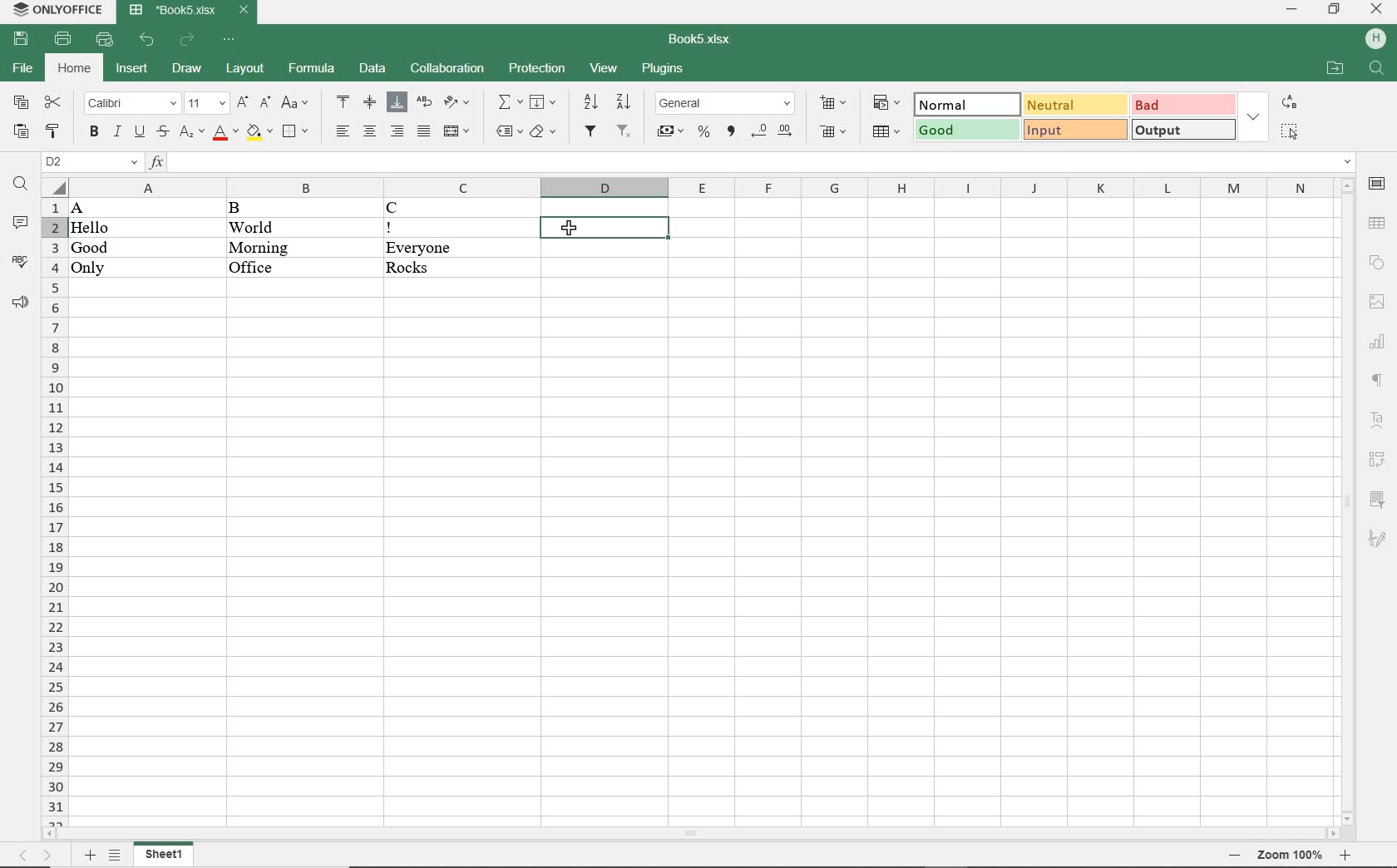 The width and height of the screenshot is (1397, 868). What do you see at coordinates (726, 102) in the screenshot?
I see `NUMBER FORMAT` at bounding box center [726, 102].